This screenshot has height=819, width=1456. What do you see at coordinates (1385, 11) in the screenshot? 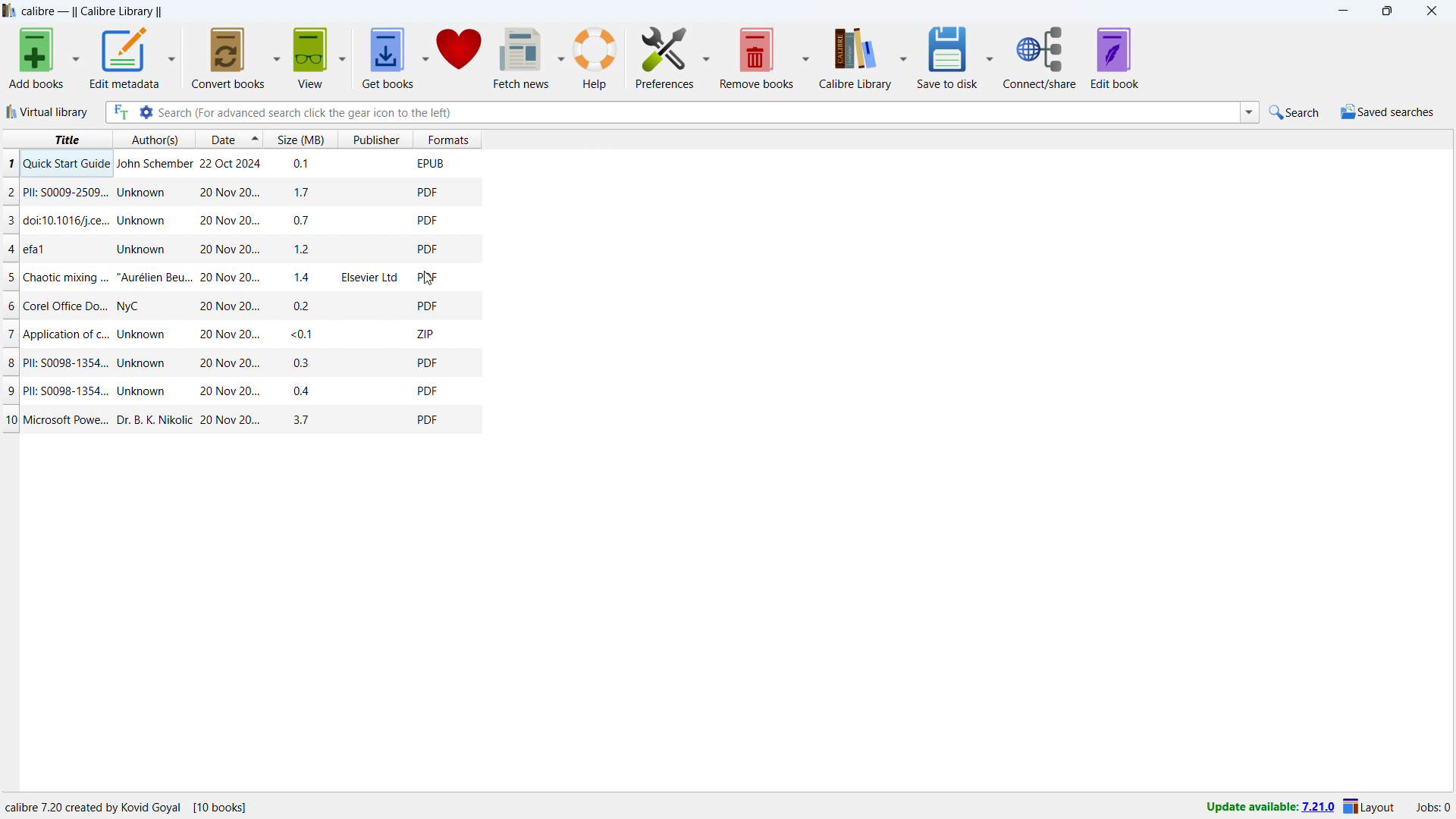
I see `maximize` at bounding box center [1385, 11].